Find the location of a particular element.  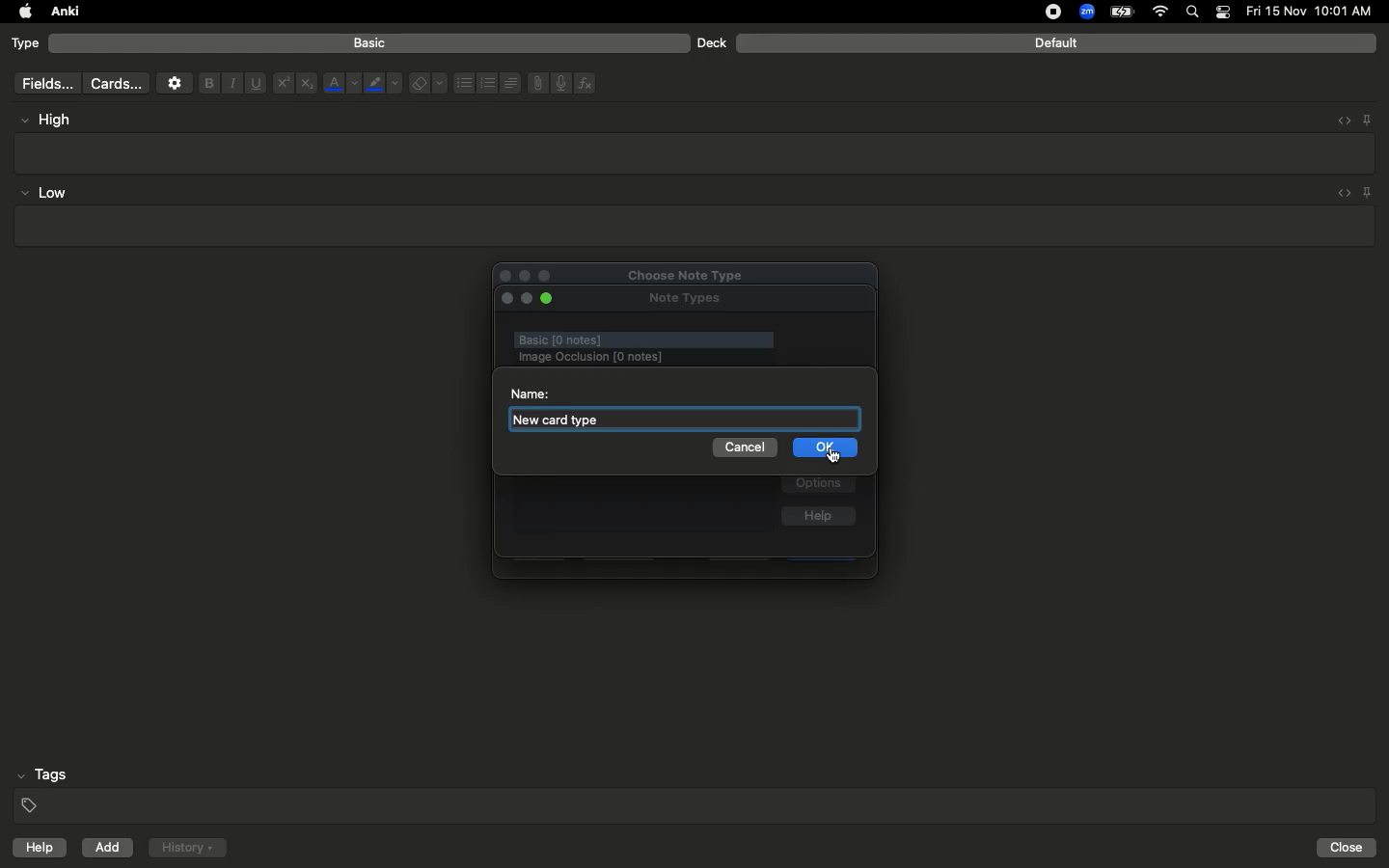

Close is located at coordinates (1349, 848).